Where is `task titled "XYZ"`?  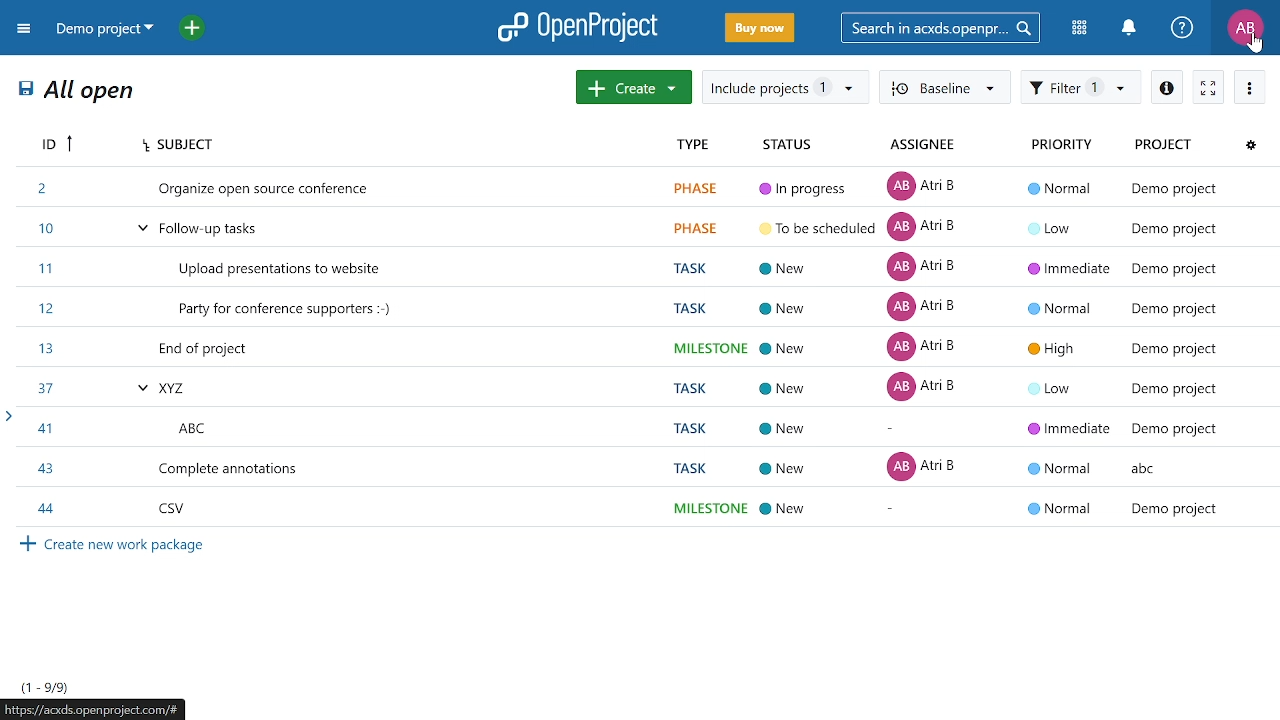
task titled "XYZ" is located at coordinates (642, 386).